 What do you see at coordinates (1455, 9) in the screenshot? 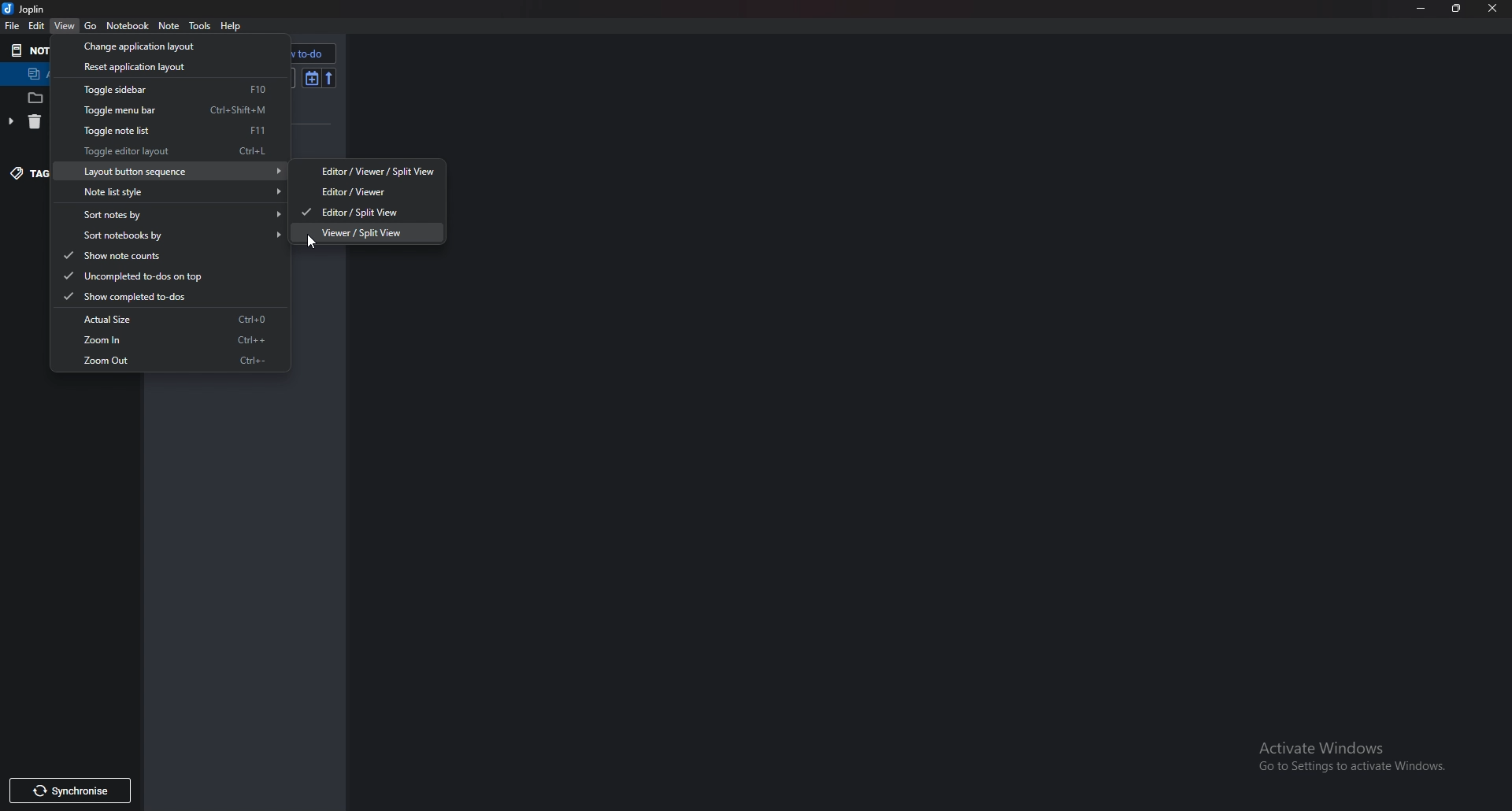
I see `Resize` at bounding box center [1455, 9].